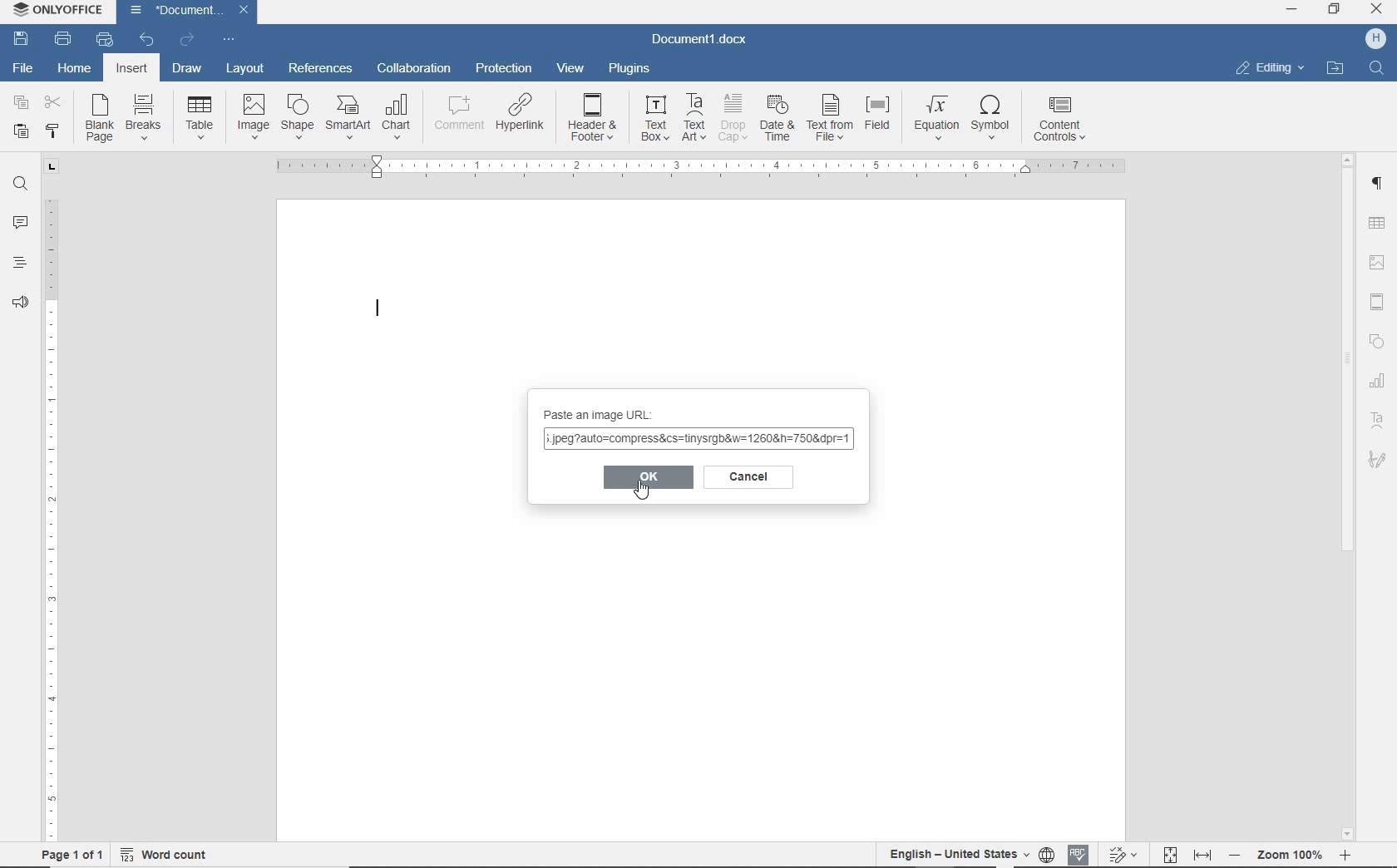 The width and height of the screenshot is (1397, 868). What do you see at coordinates (22, 301) in the screenshot?
I see `feedback & support` at bounding box center [22, 301].